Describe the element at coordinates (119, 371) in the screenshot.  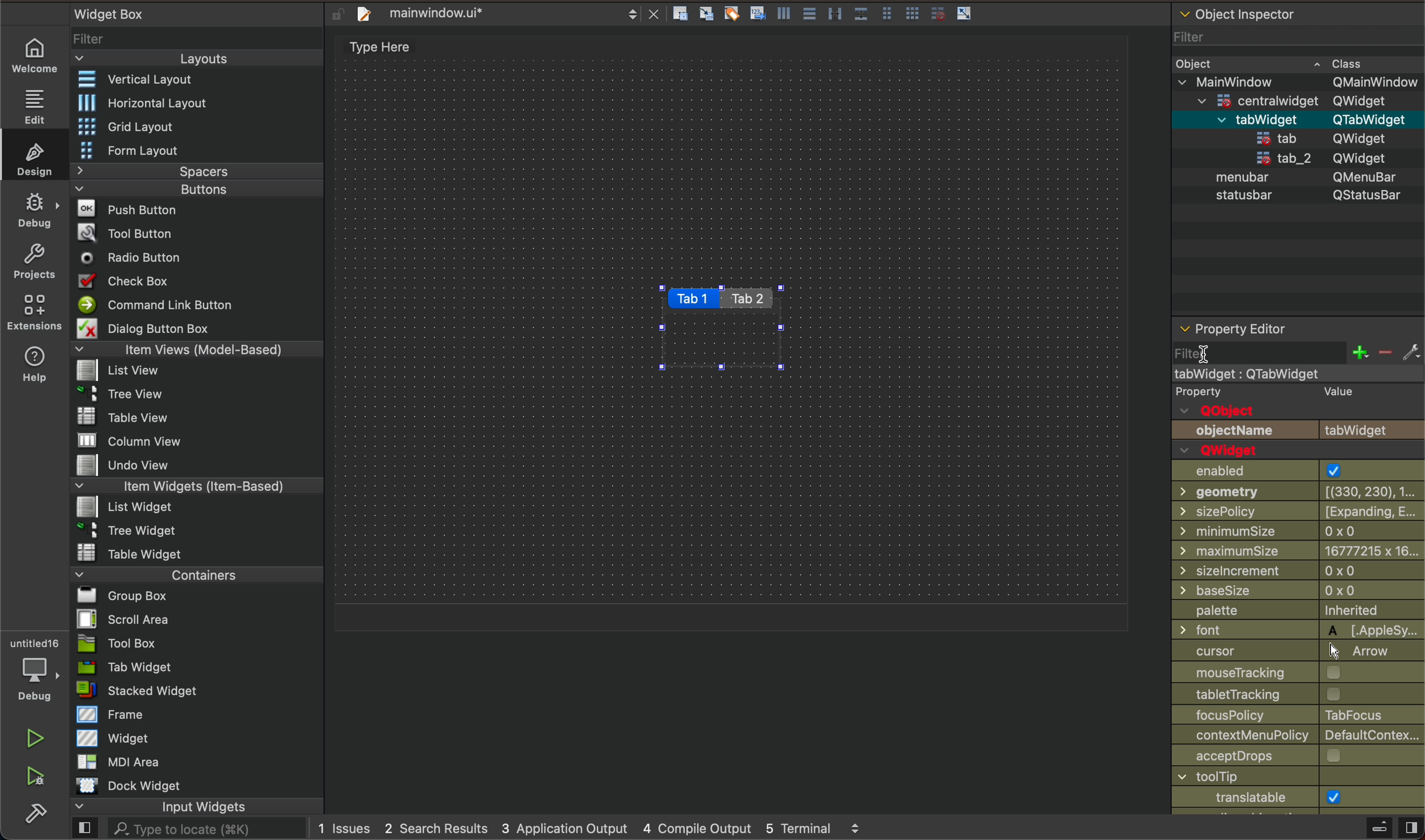
I see ` list View` at that location.